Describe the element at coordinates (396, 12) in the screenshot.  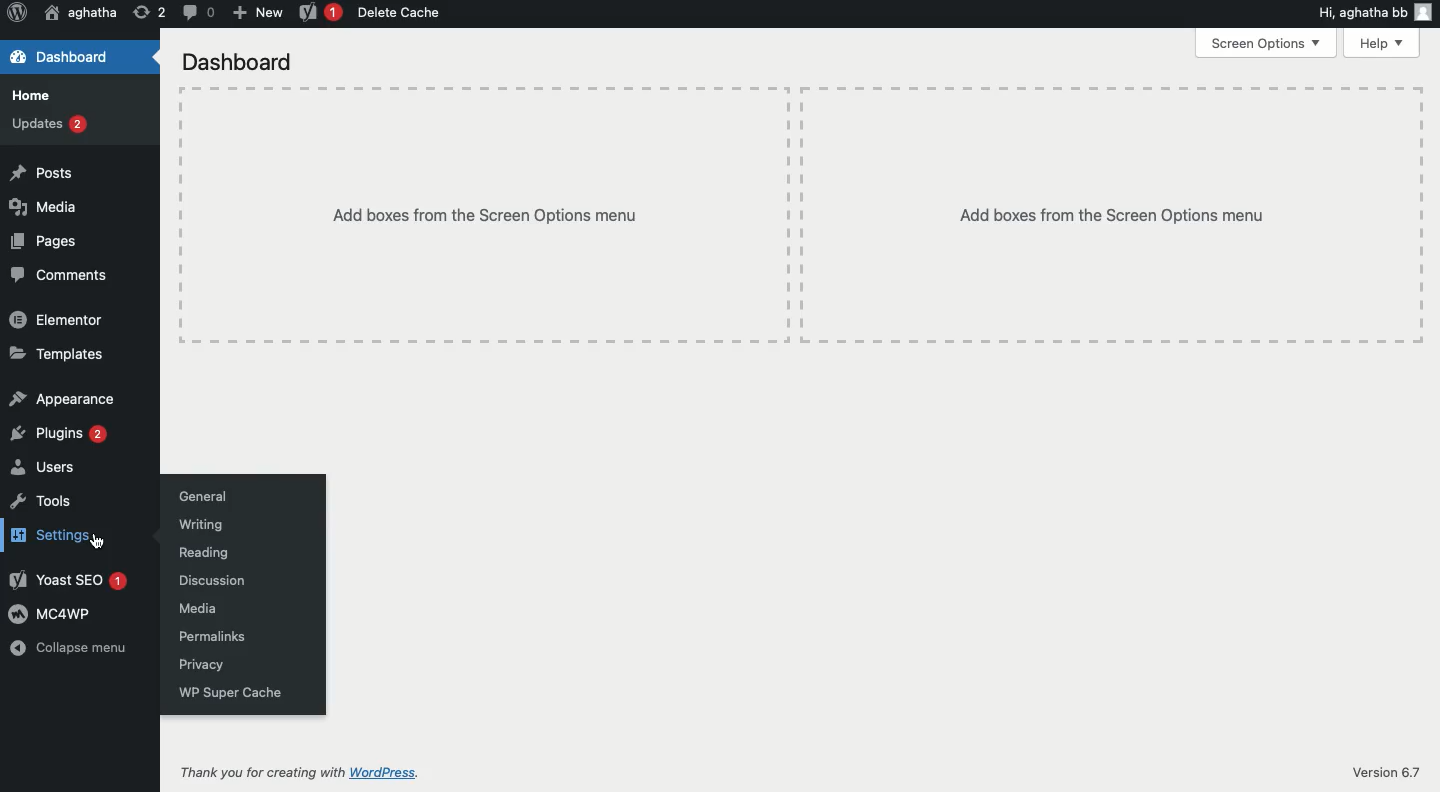
I see `Delete cache` at that location.